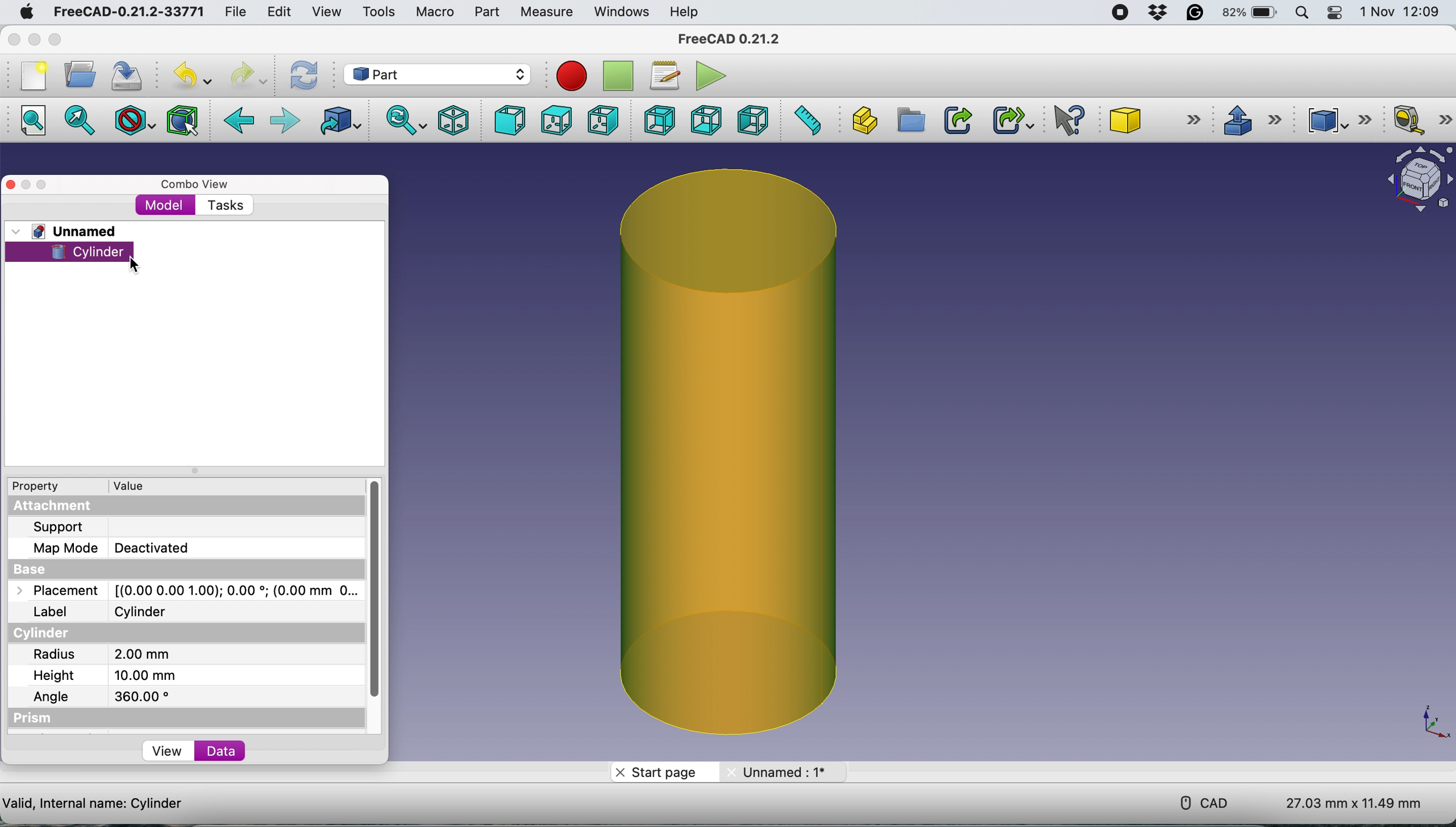 Image resolution: width=1456 pixels, height=827 pixels. What do you see at coordinates (1418, 179) in the screenshot?
I see `object interface` at bounding box center [1418, 179].